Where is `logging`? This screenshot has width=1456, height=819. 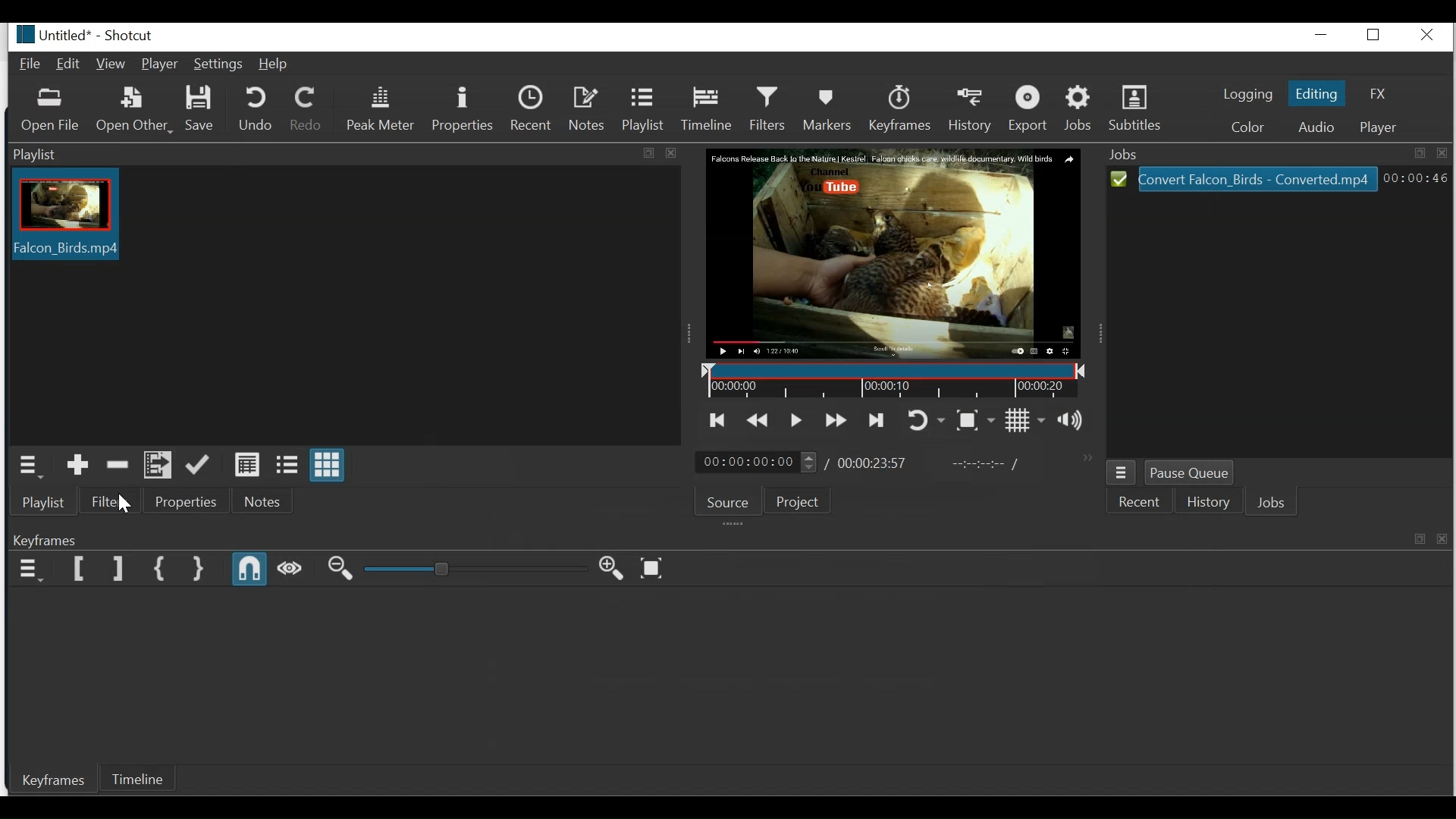 logging is located at coordinates (1245, 96).